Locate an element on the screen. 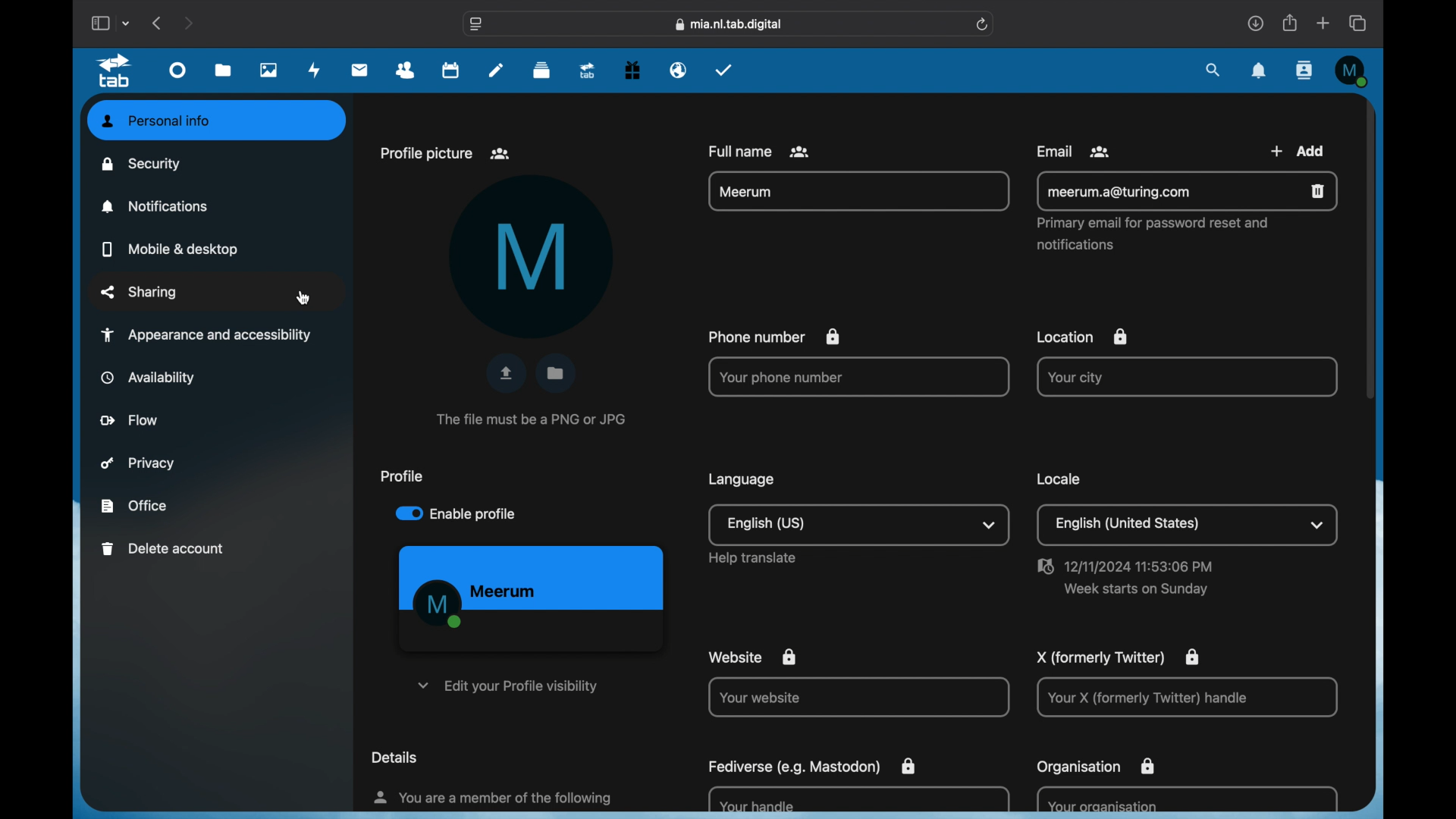  dashboard is located at coordinates (178, 74).